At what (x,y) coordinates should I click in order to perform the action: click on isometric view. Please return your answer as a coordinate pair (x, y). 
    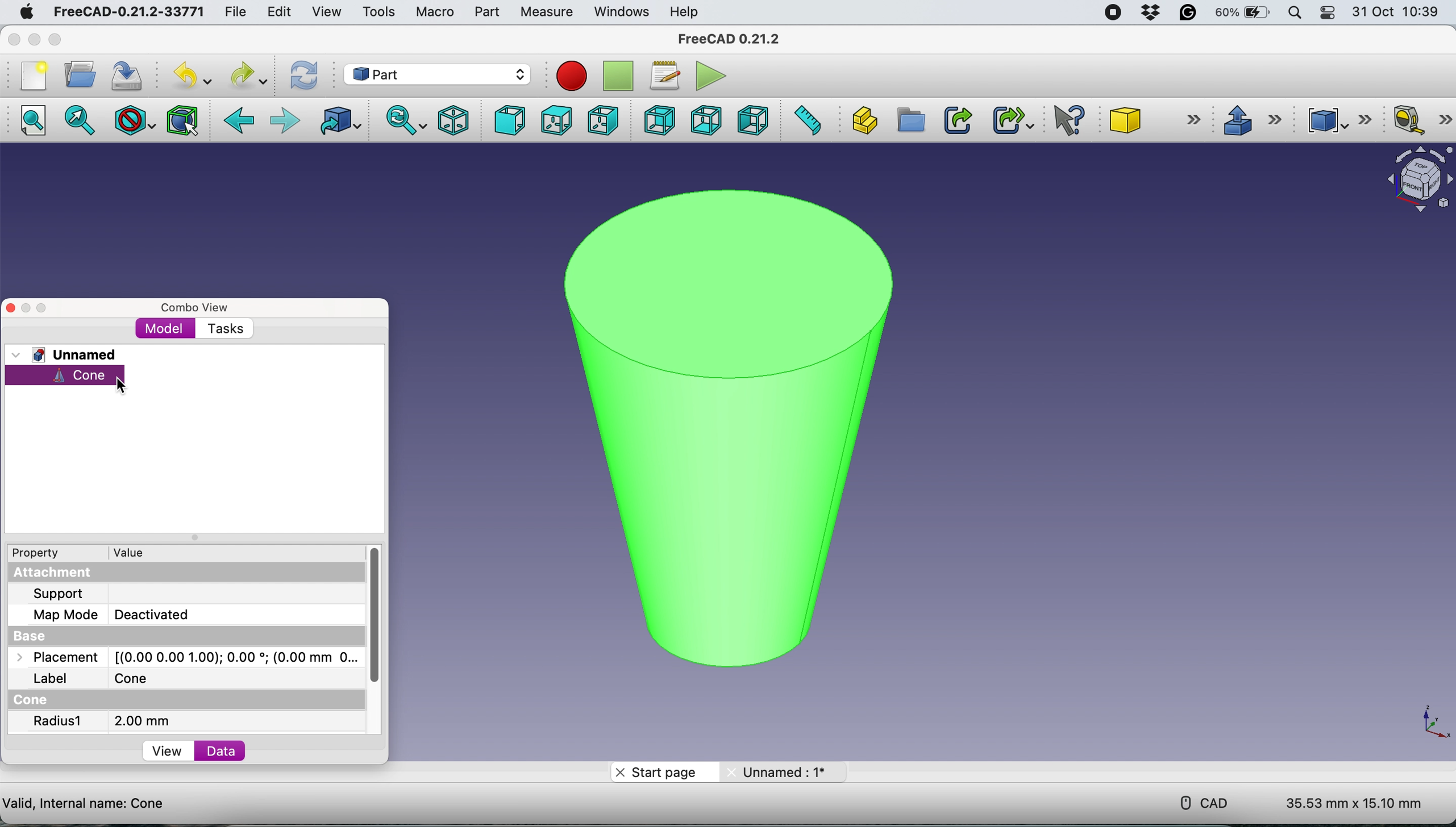
    Looking at the image, I should click on (455, 119).